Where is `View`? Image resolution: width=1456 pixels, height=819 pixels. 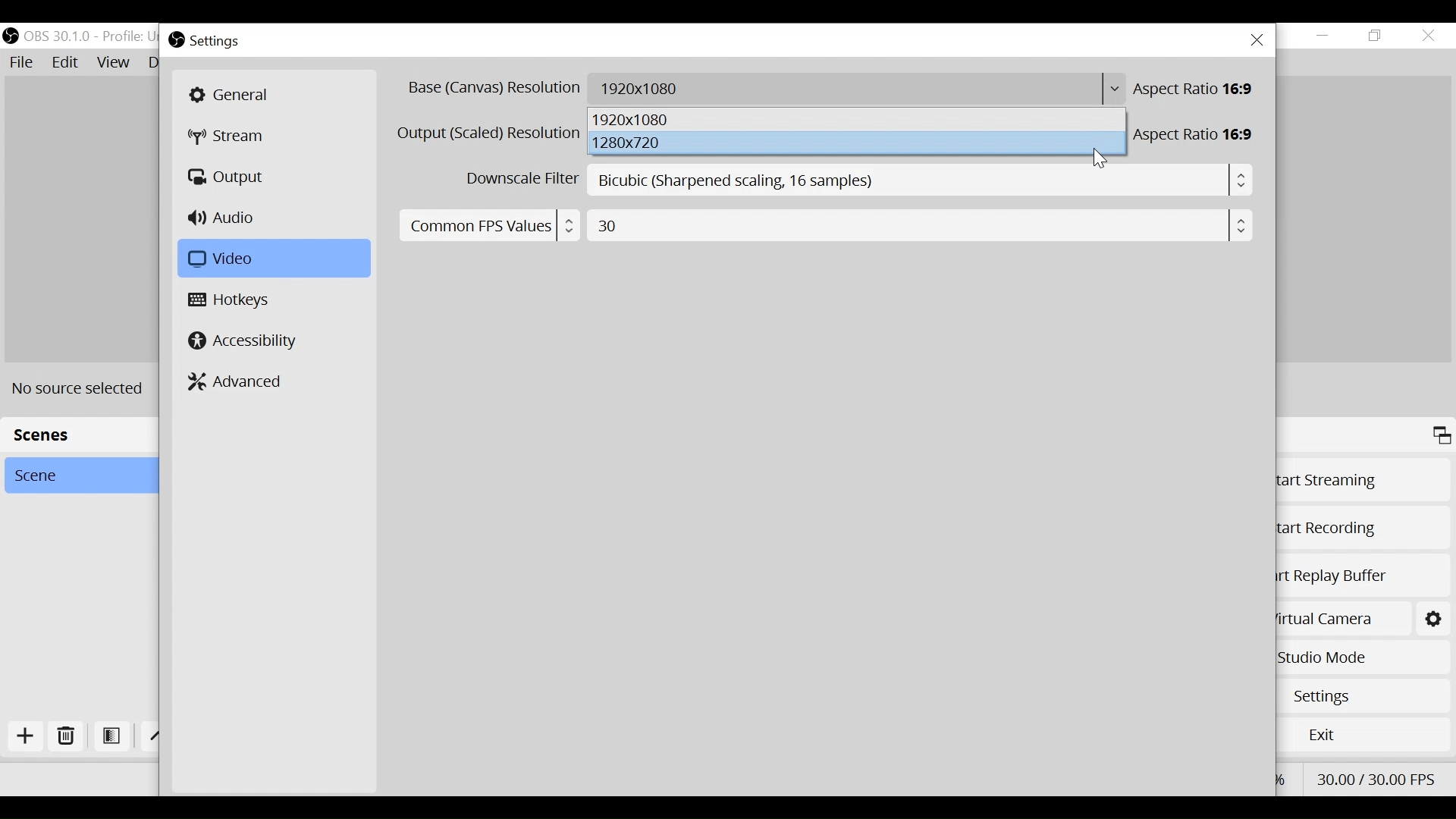 View is located at coordinates (113, 63).